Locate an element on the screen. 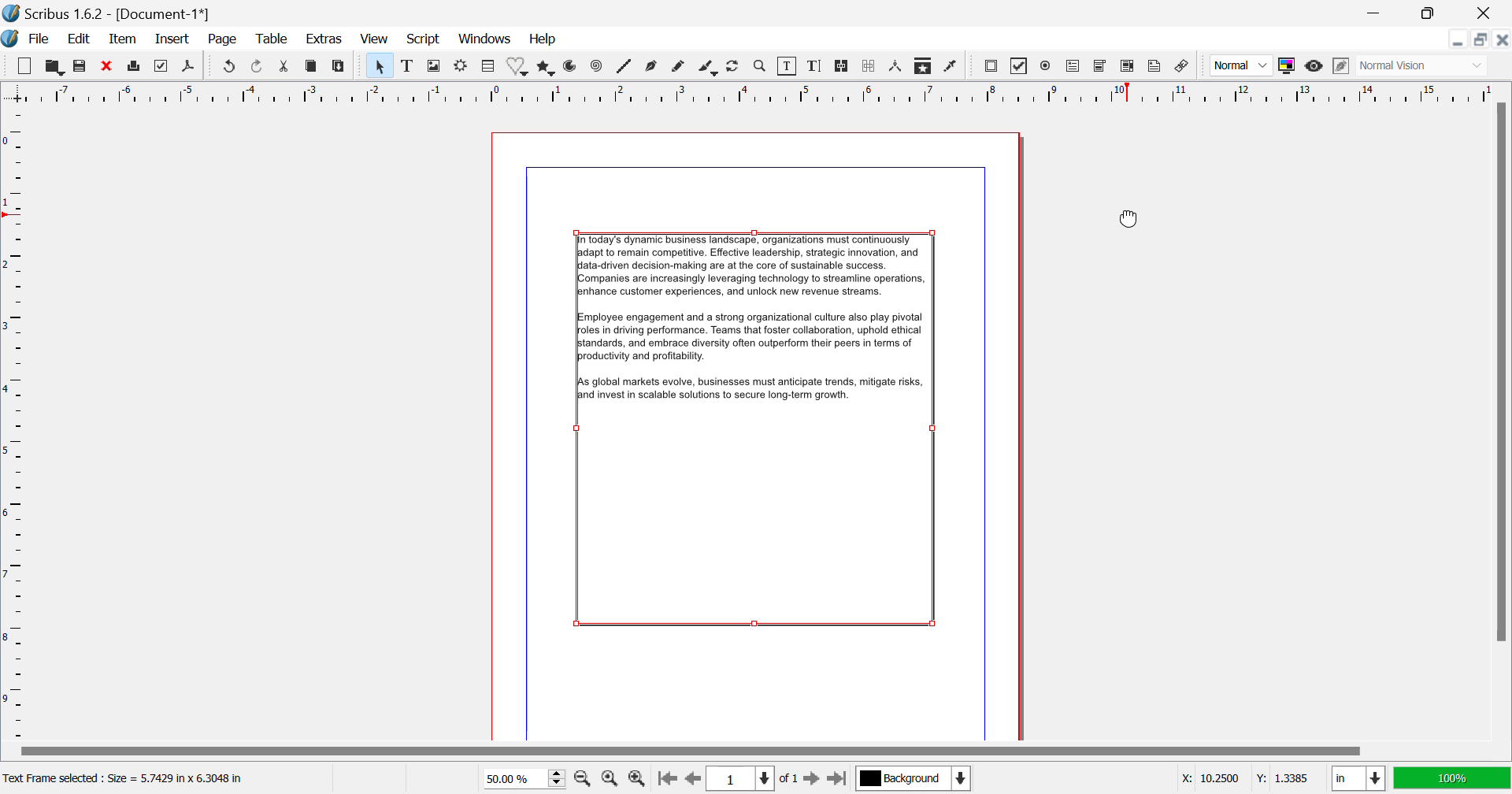 Image resolution: width=1512 pixels, height=794 pixels. Last Page is located at coordinates (838, 779).